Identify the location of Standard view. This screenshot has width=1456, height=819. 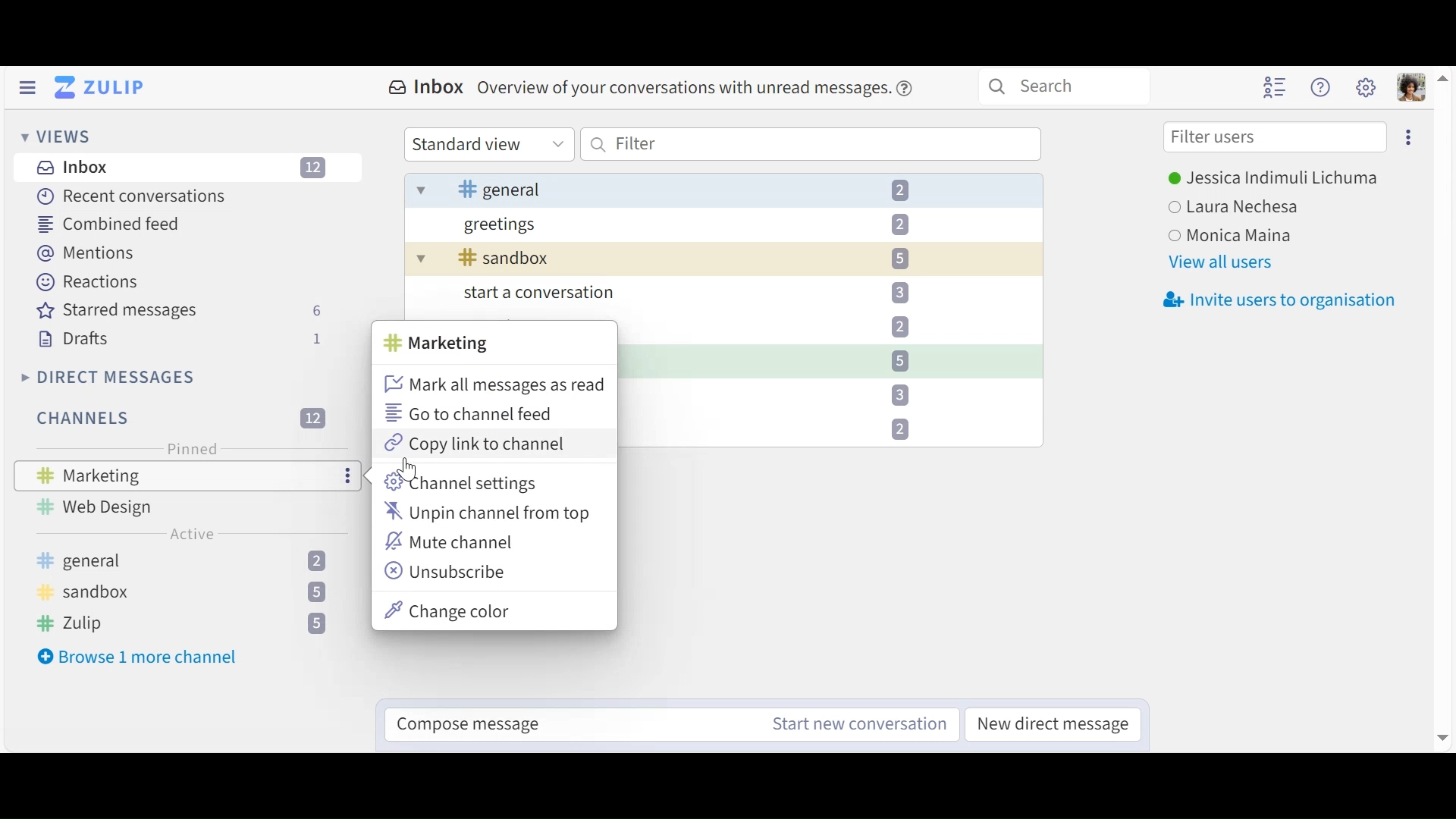
(488, 144).